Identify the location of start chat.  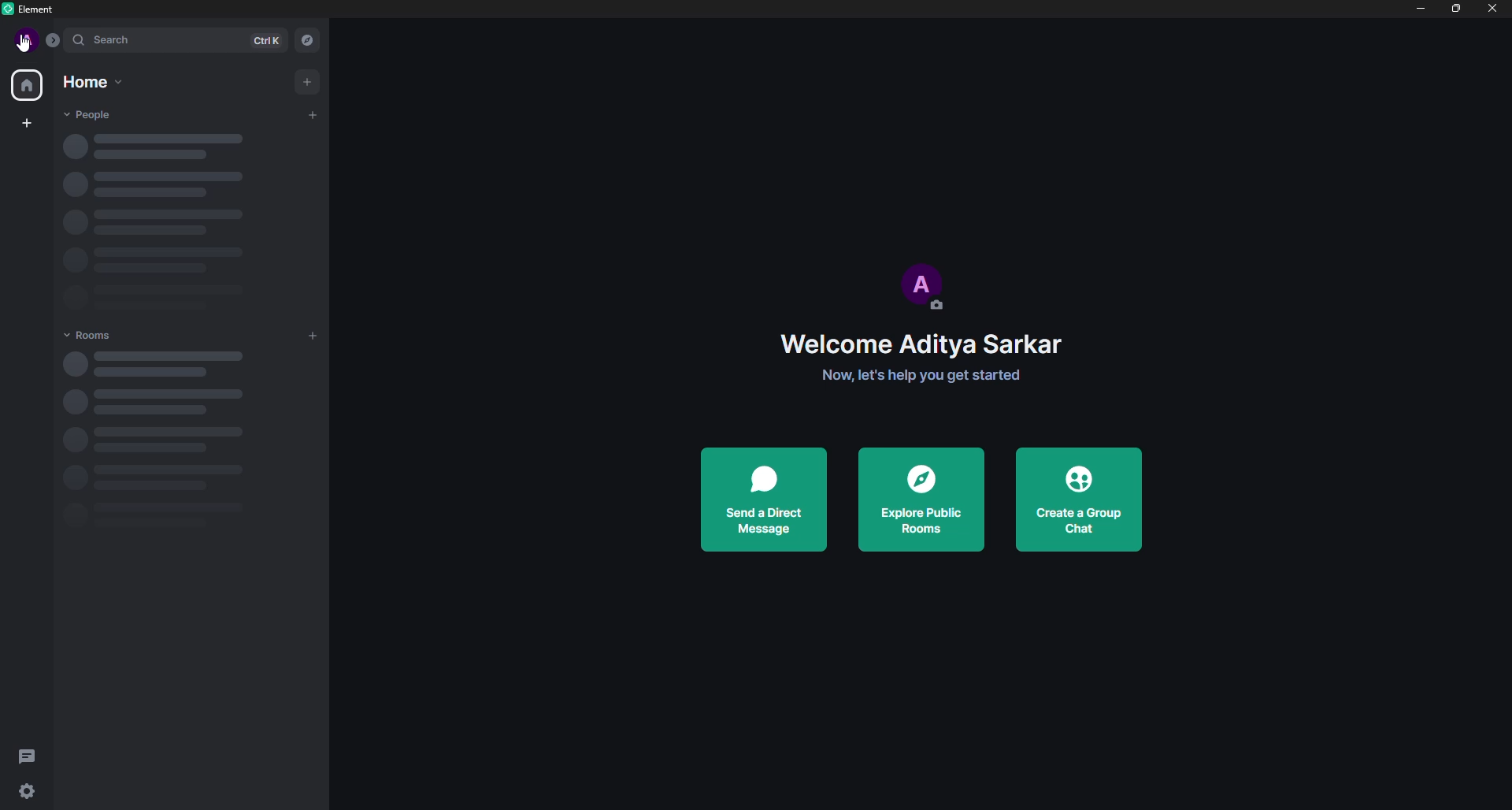
(314, 113).